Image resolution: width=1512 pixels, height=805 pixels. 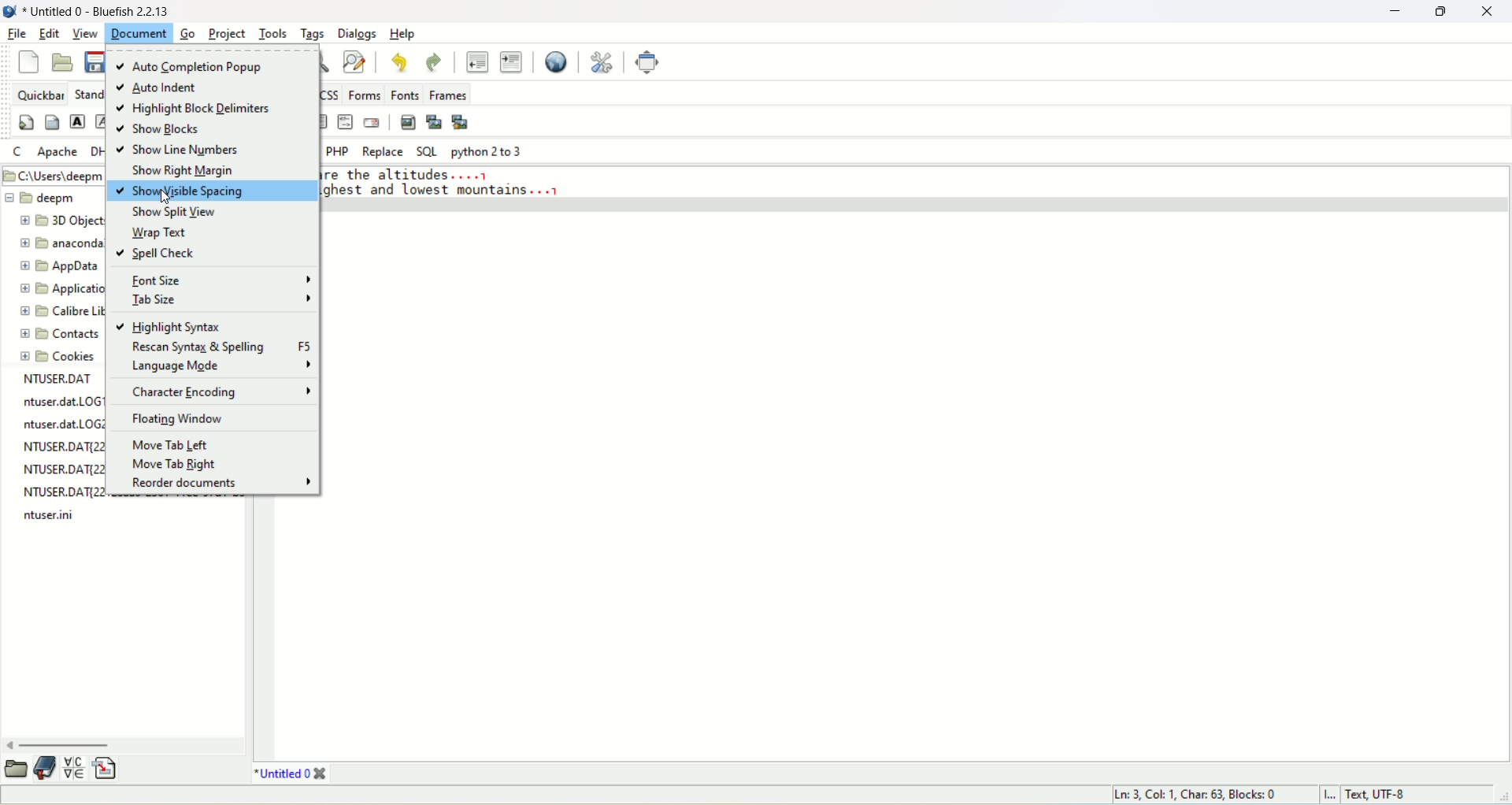 What do you see at coordinates (315, 34) in the screenshot?
I see `tags` at bounding box center [315, 34].